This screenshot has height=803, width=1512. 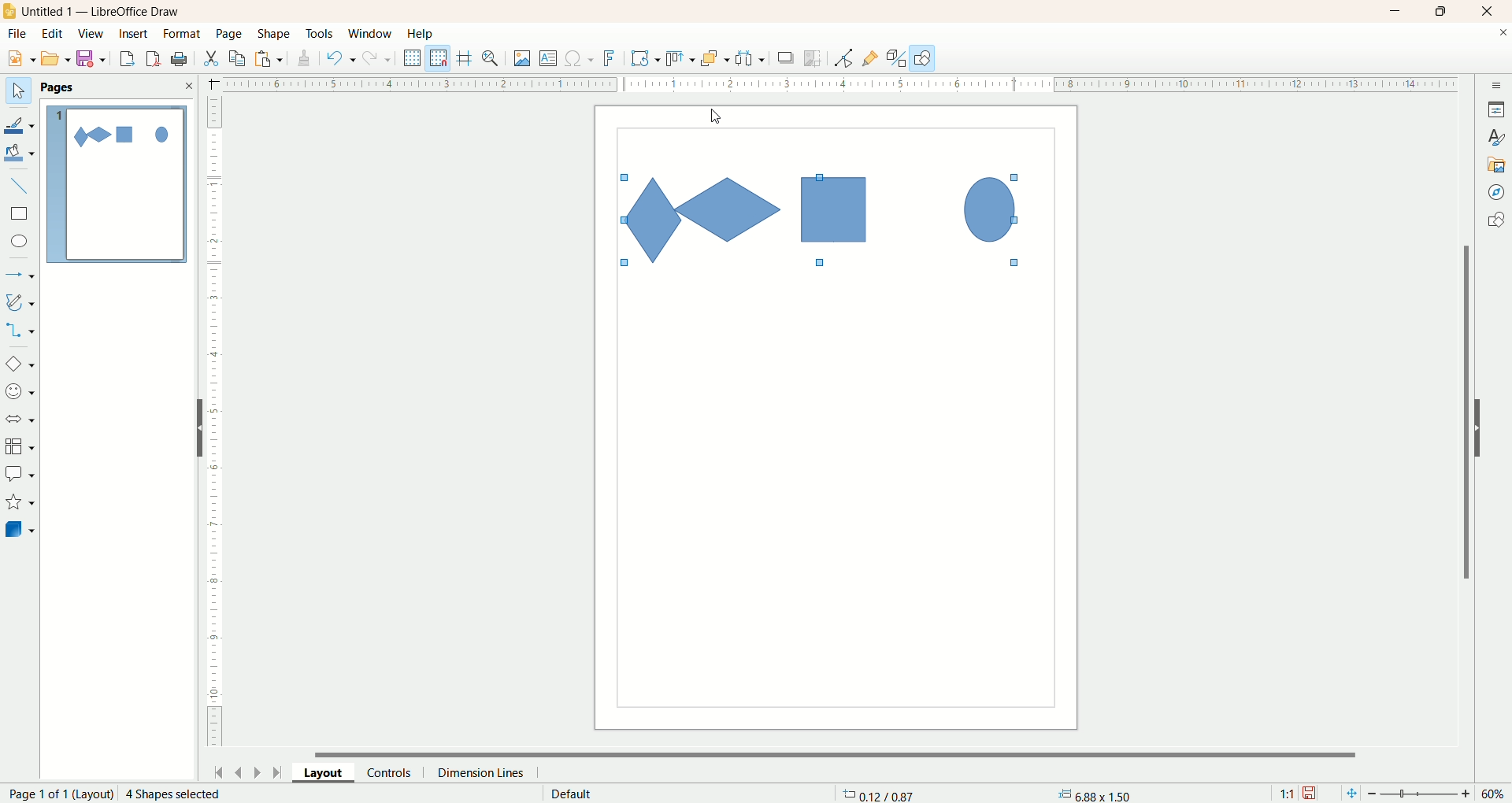 What do you see at coordinates (1503, 35) in the screenshot?
I see `close` at bounding box center [1503, 35].